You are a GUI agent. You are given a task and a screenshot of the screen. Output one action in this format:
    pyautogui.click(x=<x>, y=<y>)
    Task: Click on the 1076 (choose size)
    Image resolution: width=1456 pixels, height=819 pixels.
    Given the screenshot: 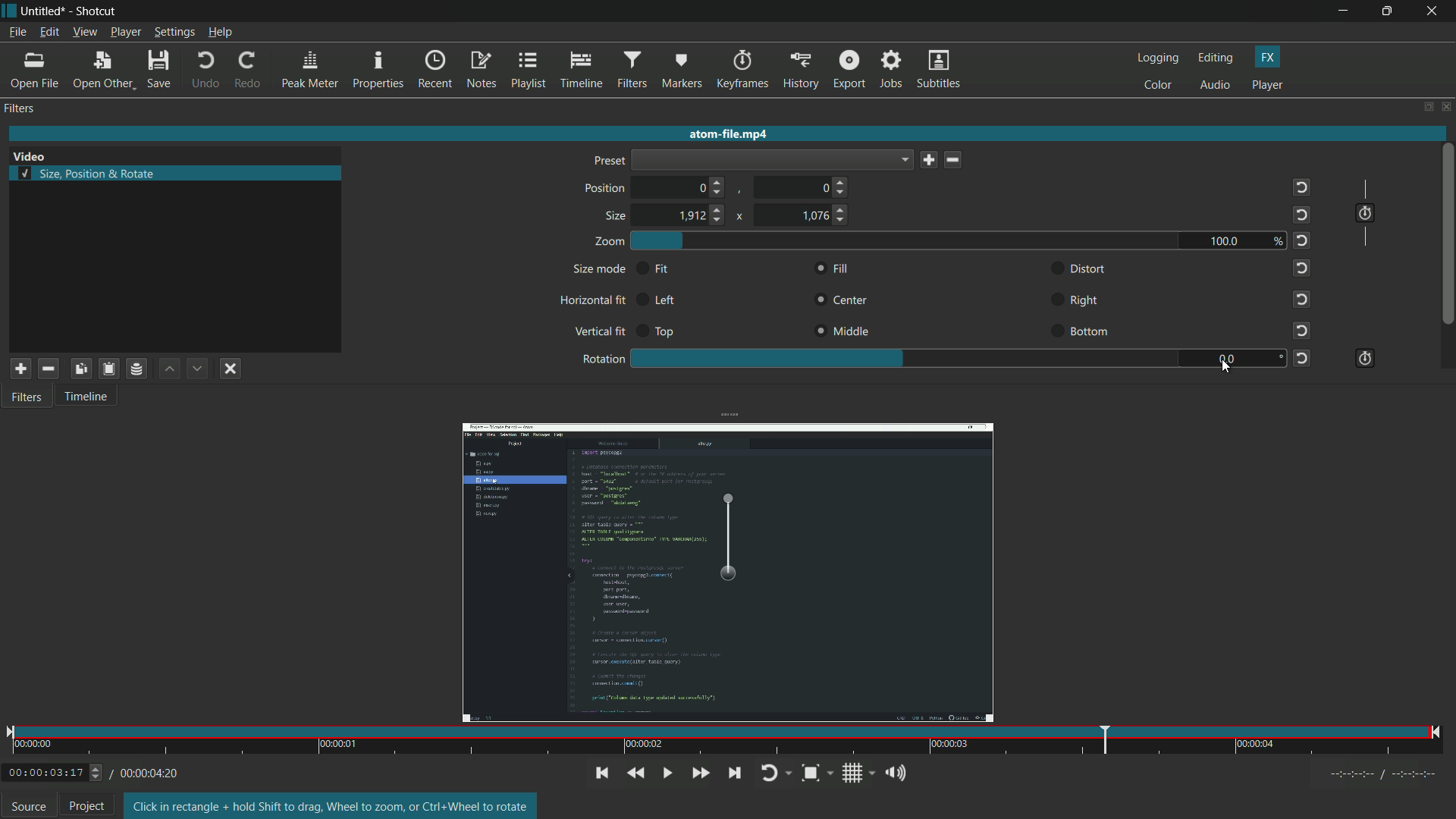 What is the action you would take?
    pyautogui.click(x=827, y=215)
    